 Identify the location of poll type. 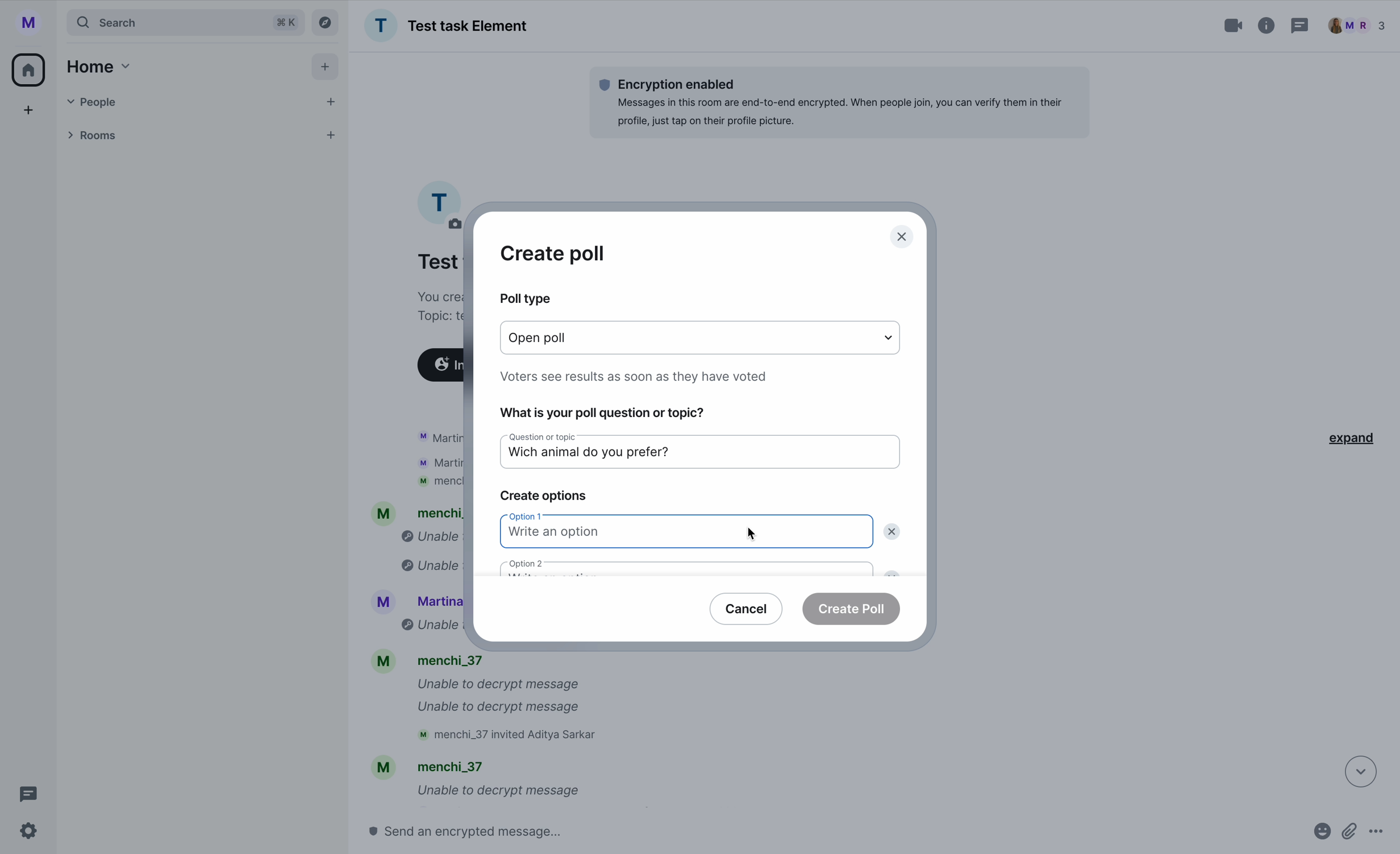
(524, 298).